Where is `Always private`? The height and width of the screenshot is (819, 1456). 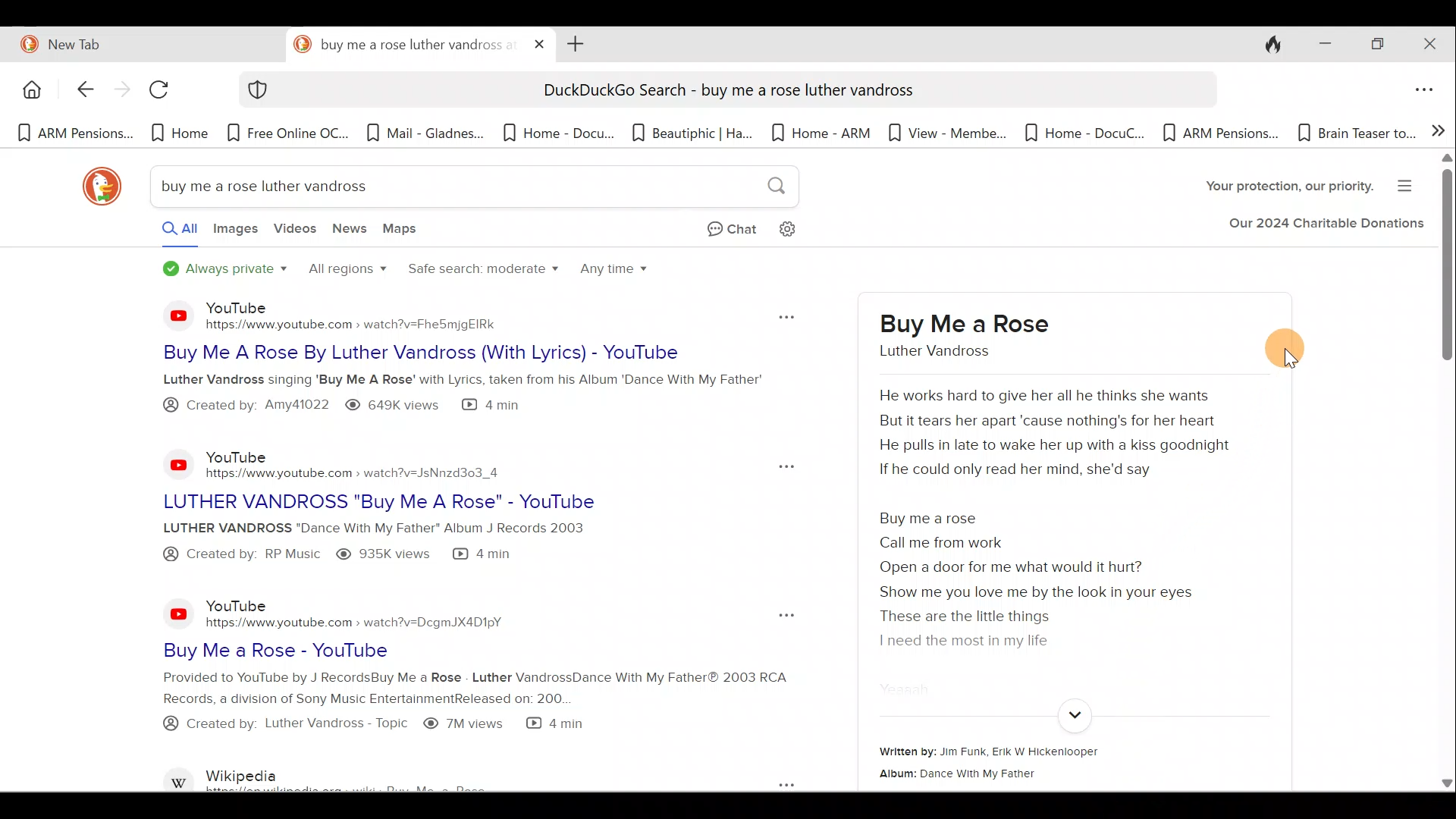
Always private is located at coordinates (226, 270).